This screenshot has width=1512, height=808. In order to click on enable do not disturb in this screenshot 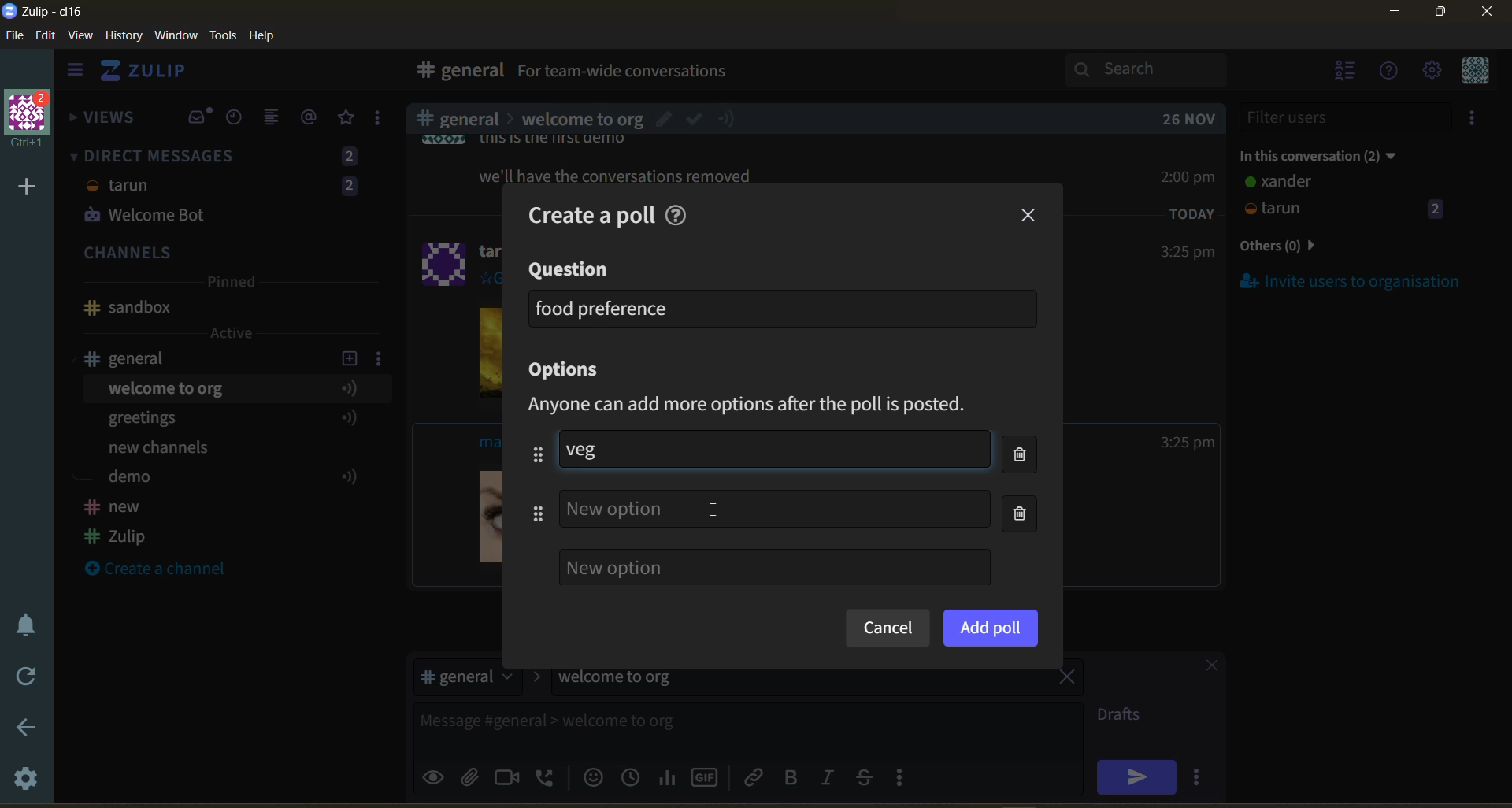, I will do `click(22, 623)`.